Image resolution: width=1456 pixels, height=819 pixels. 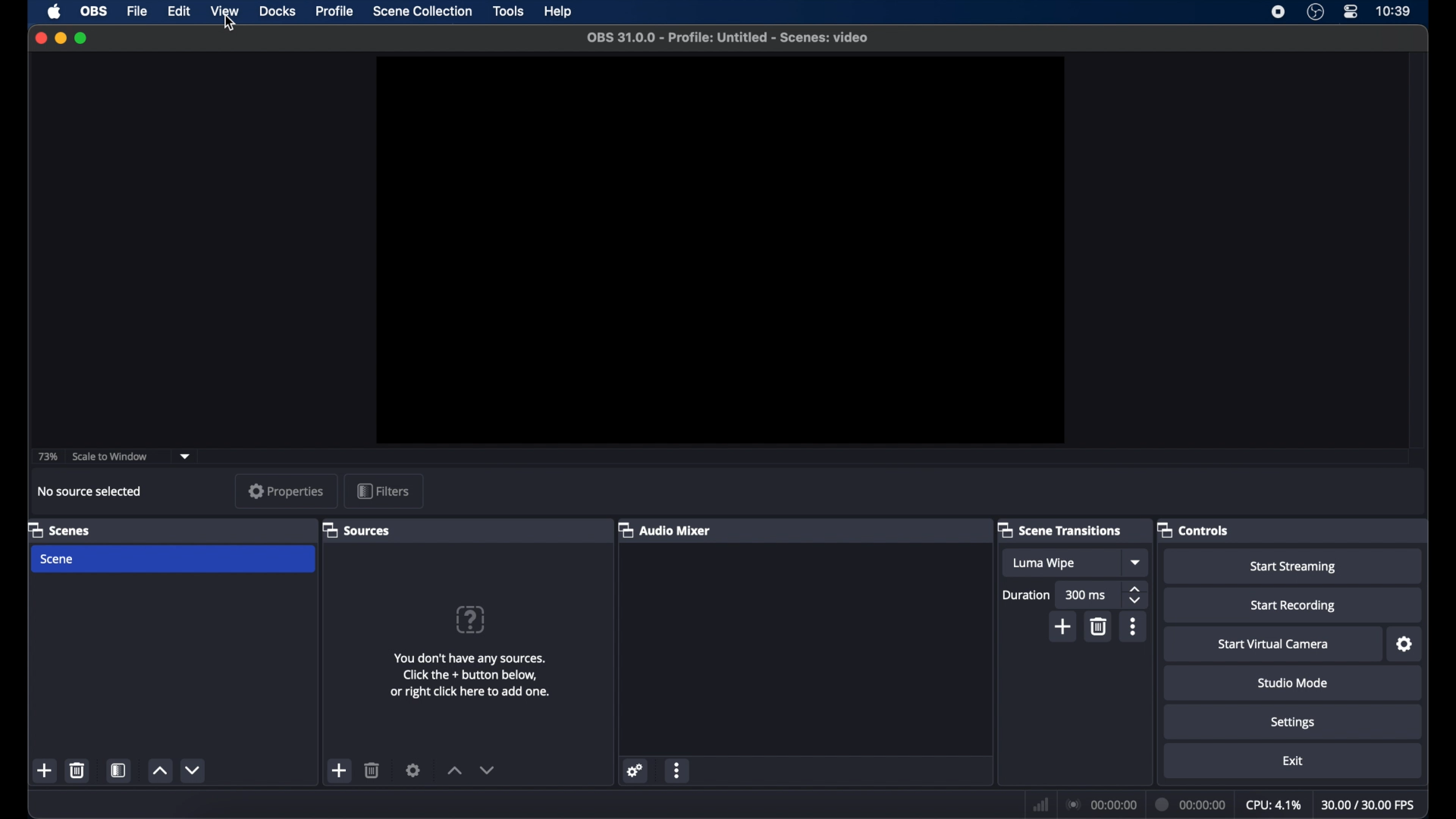 I want to click on settings, so click(x=1404, y=643).